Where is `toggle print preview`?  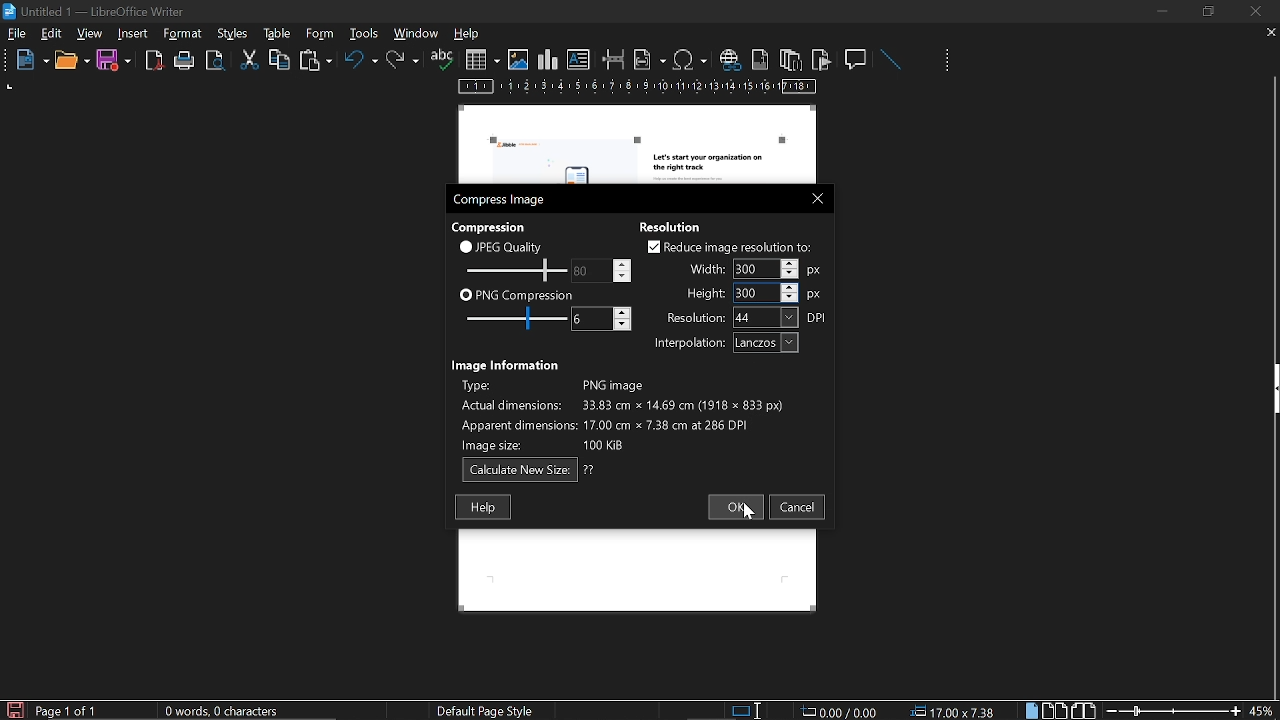 toggle print preview is located at coordinates (218, 61).